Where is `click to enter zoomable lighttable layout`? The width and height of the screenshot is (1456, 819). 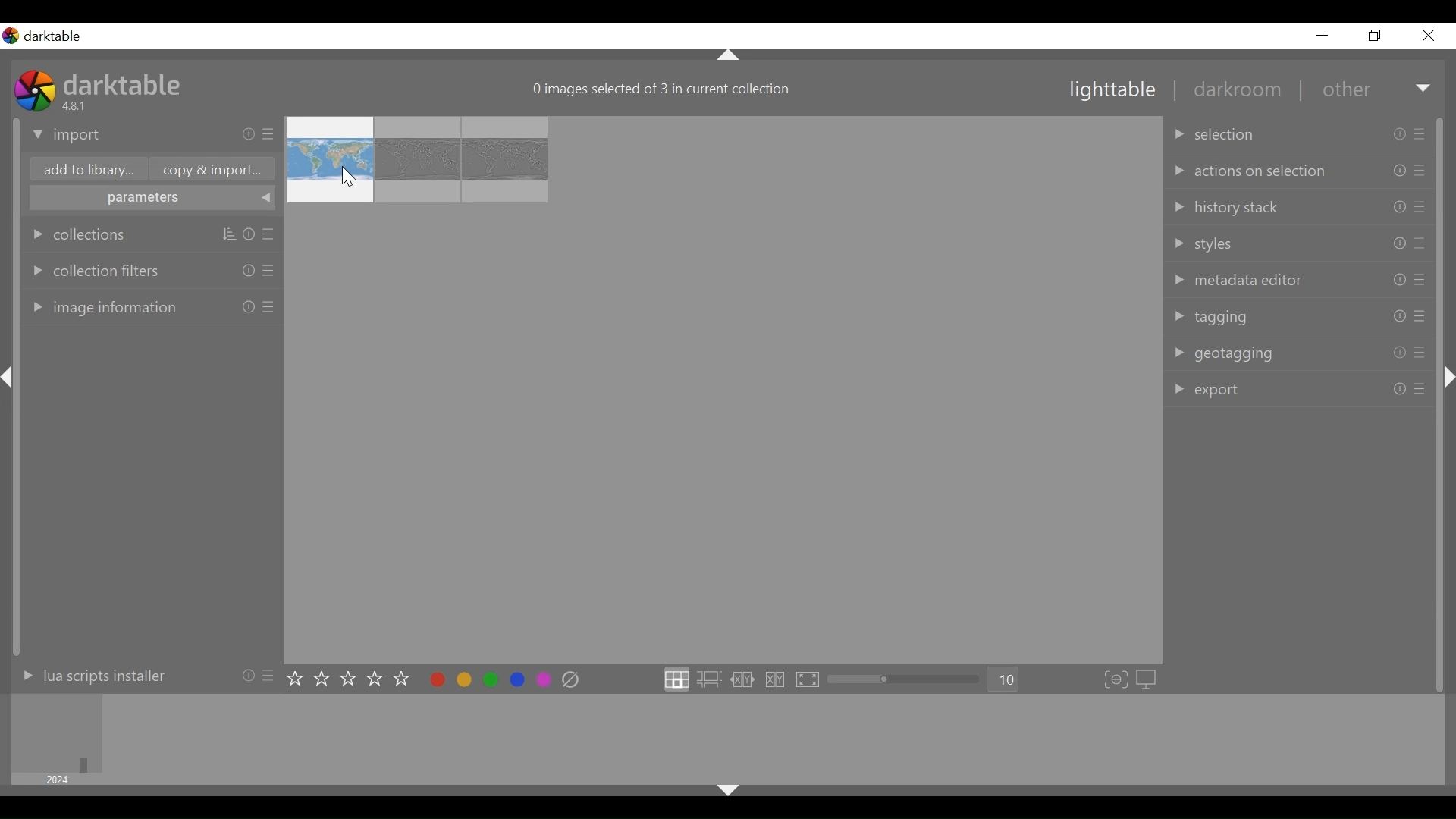
click to enter zoomable lighttable layout is located at coordinates (709, 679).